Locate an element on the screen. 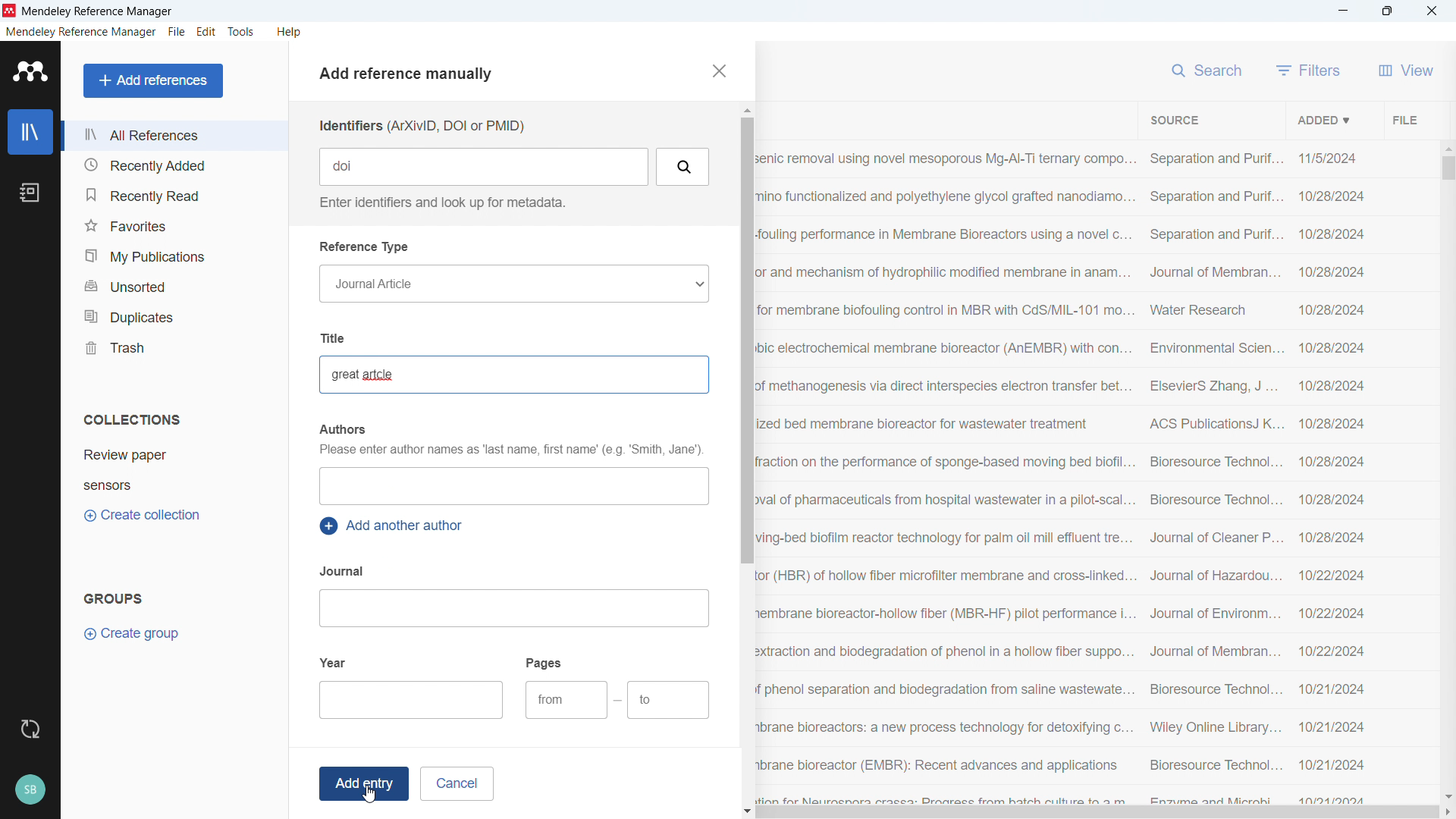 The height and width of the screenshot is (819, 1456). Edit  is located at coordinates (207, 32).